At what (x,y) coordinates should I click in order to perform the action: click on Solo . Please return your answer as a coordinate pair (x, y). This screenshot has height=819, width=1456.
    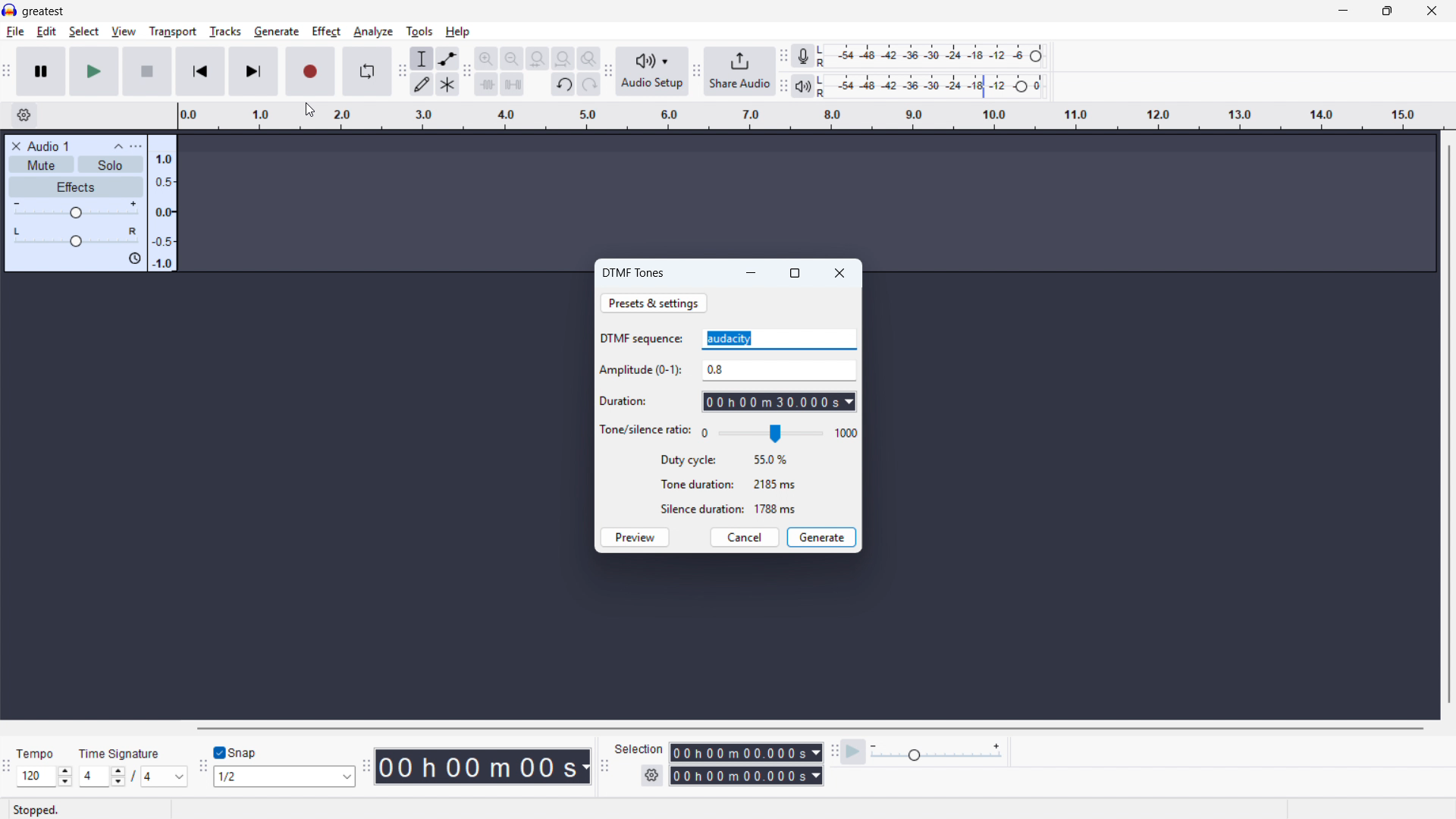
    Looking at the image, I should click on (111, 165).